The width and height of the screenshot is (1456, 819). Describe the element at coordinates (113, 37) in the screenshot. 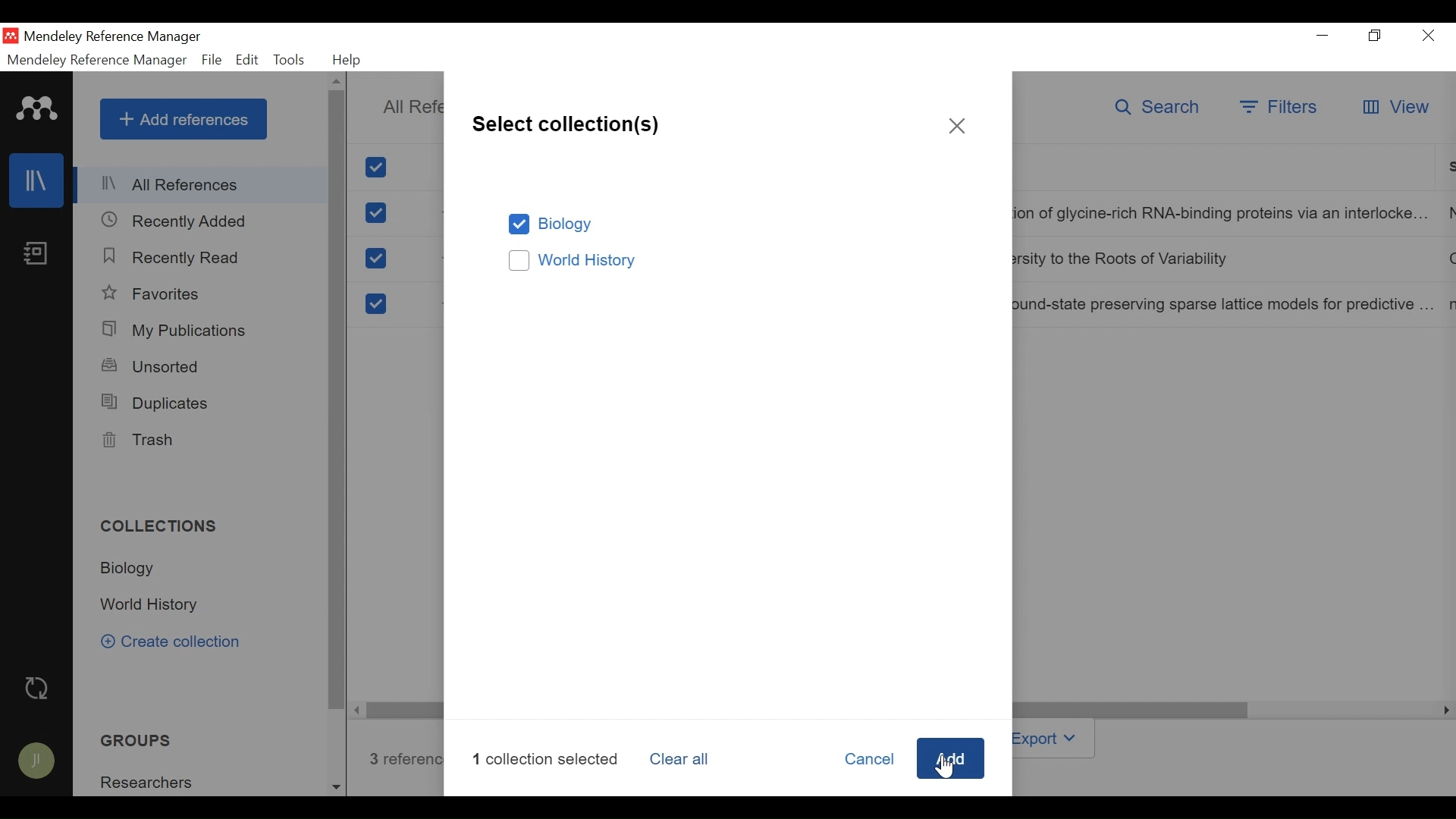

I see `Mendeley Reference Manager` at that location.